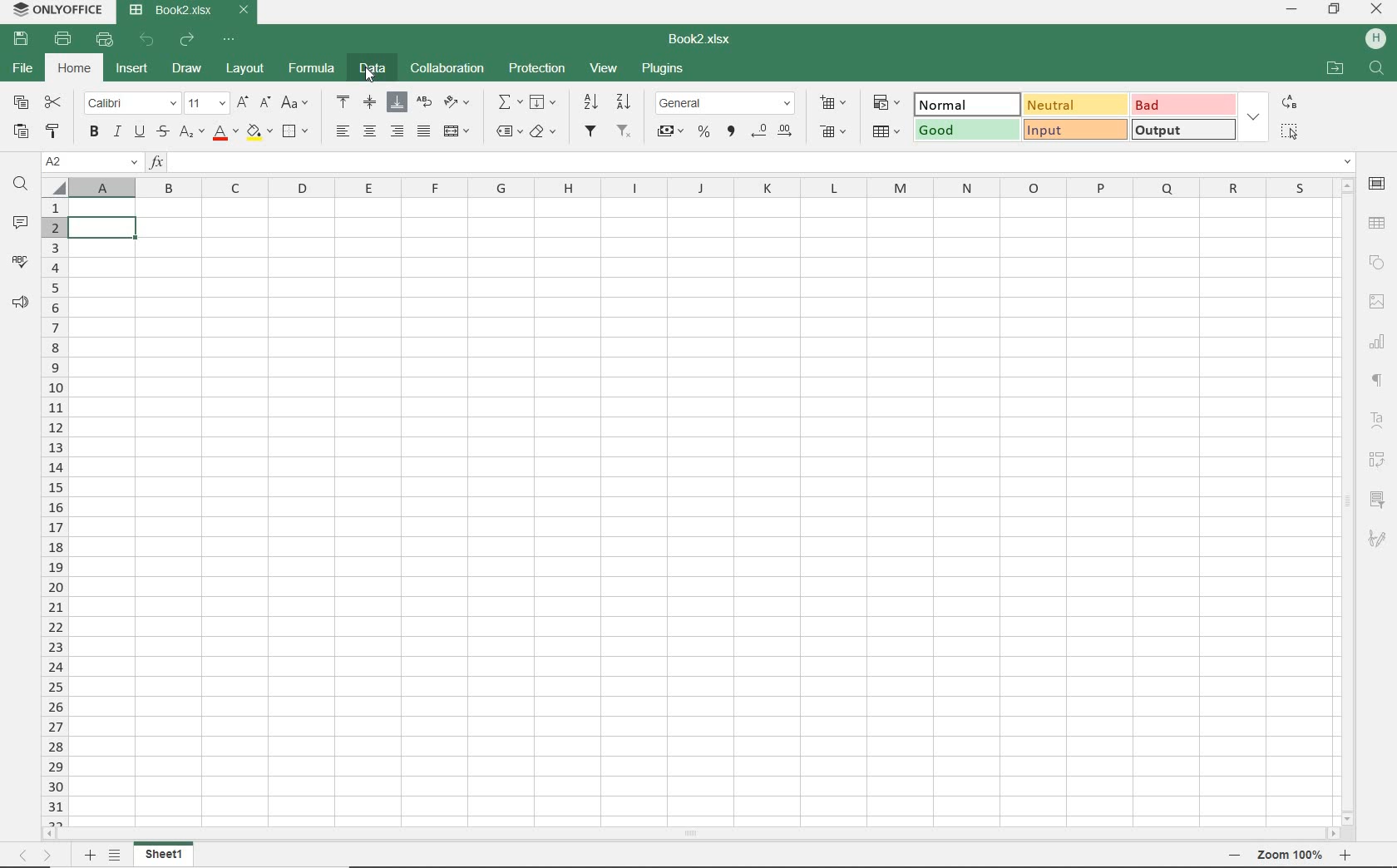  What do you see at coordinates (422, 130) in the screenshot?
I see `JUSTIFIED` at bounding box center [422, 130].